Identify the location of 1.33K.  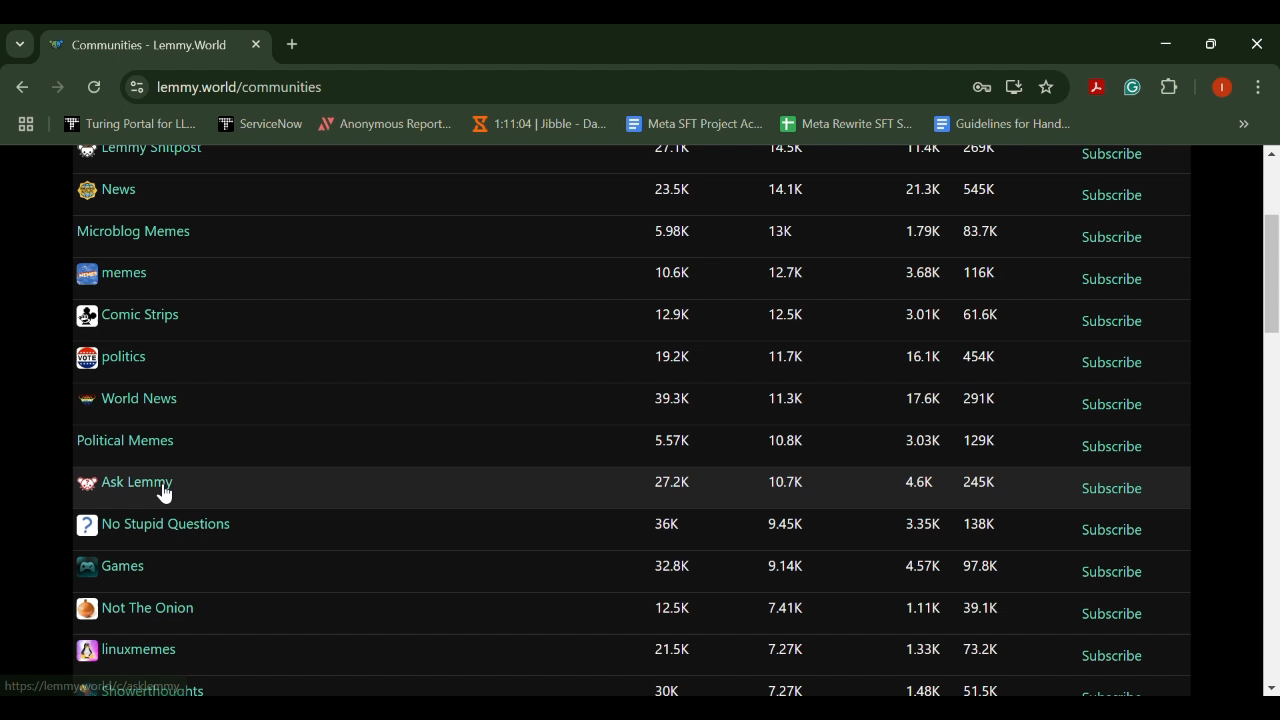
(923, 651).